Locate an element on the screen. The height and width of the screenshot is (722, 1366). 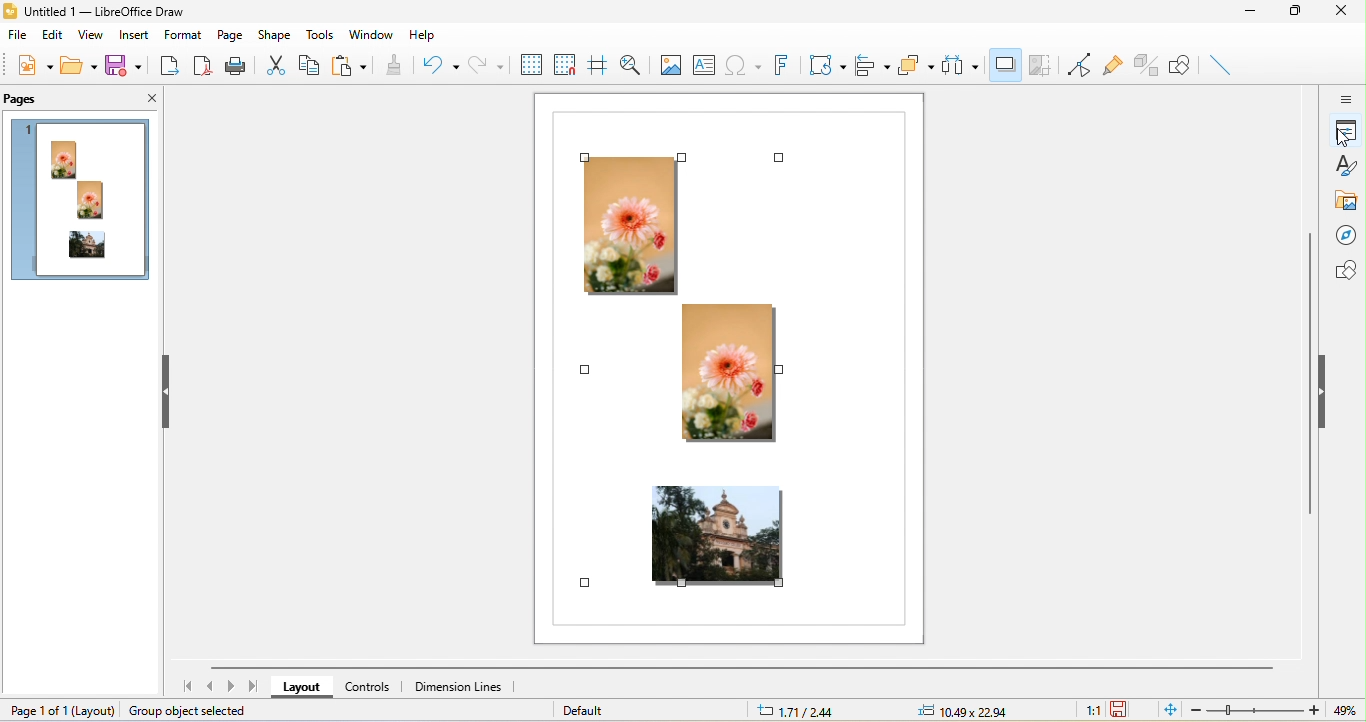
page 1 images is located at coordinates (83, 203).